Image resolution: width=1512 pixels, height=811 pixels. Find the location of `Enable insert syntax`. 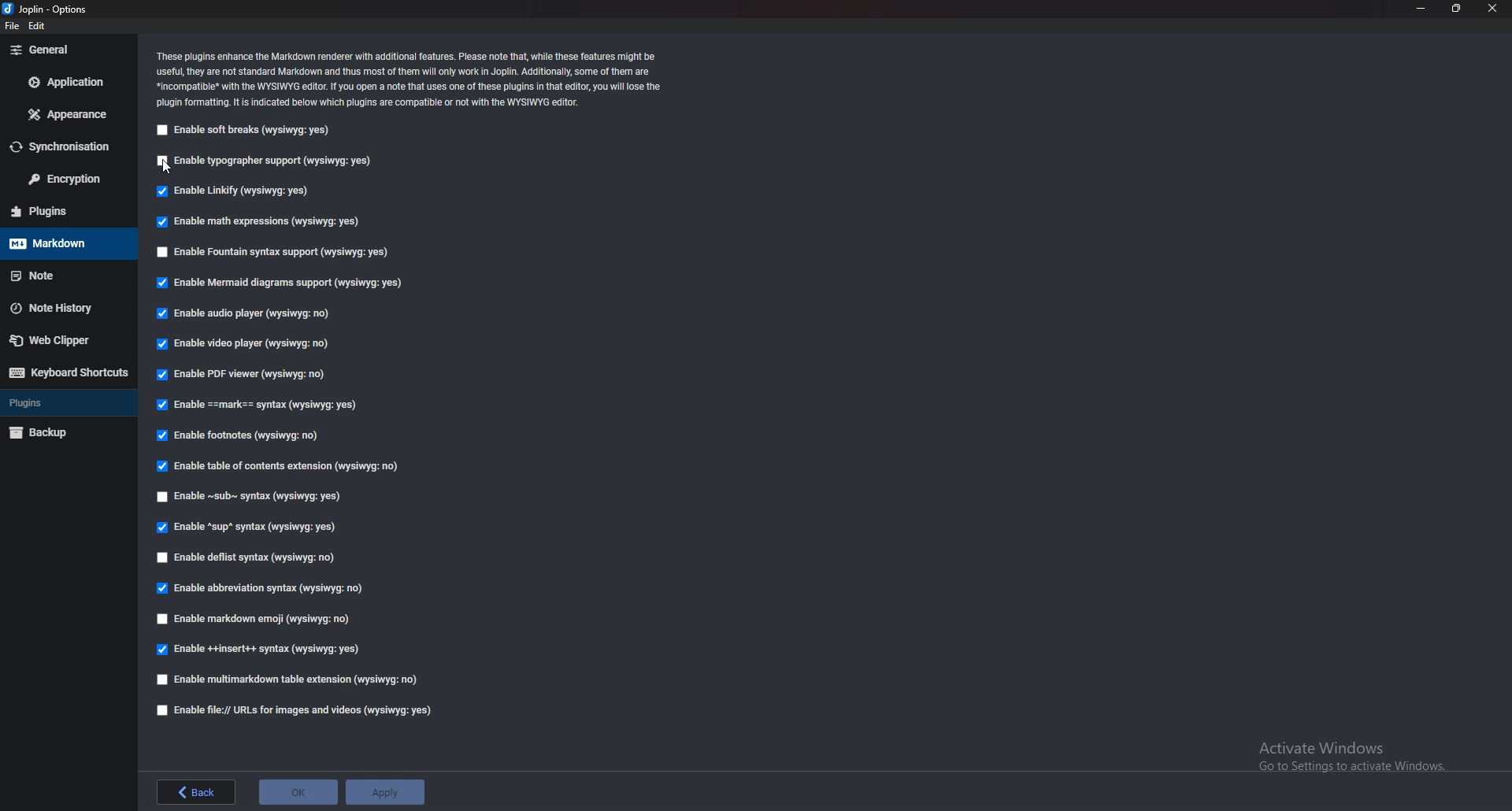

Enable insert syntax is located at coordinates (260, 649).